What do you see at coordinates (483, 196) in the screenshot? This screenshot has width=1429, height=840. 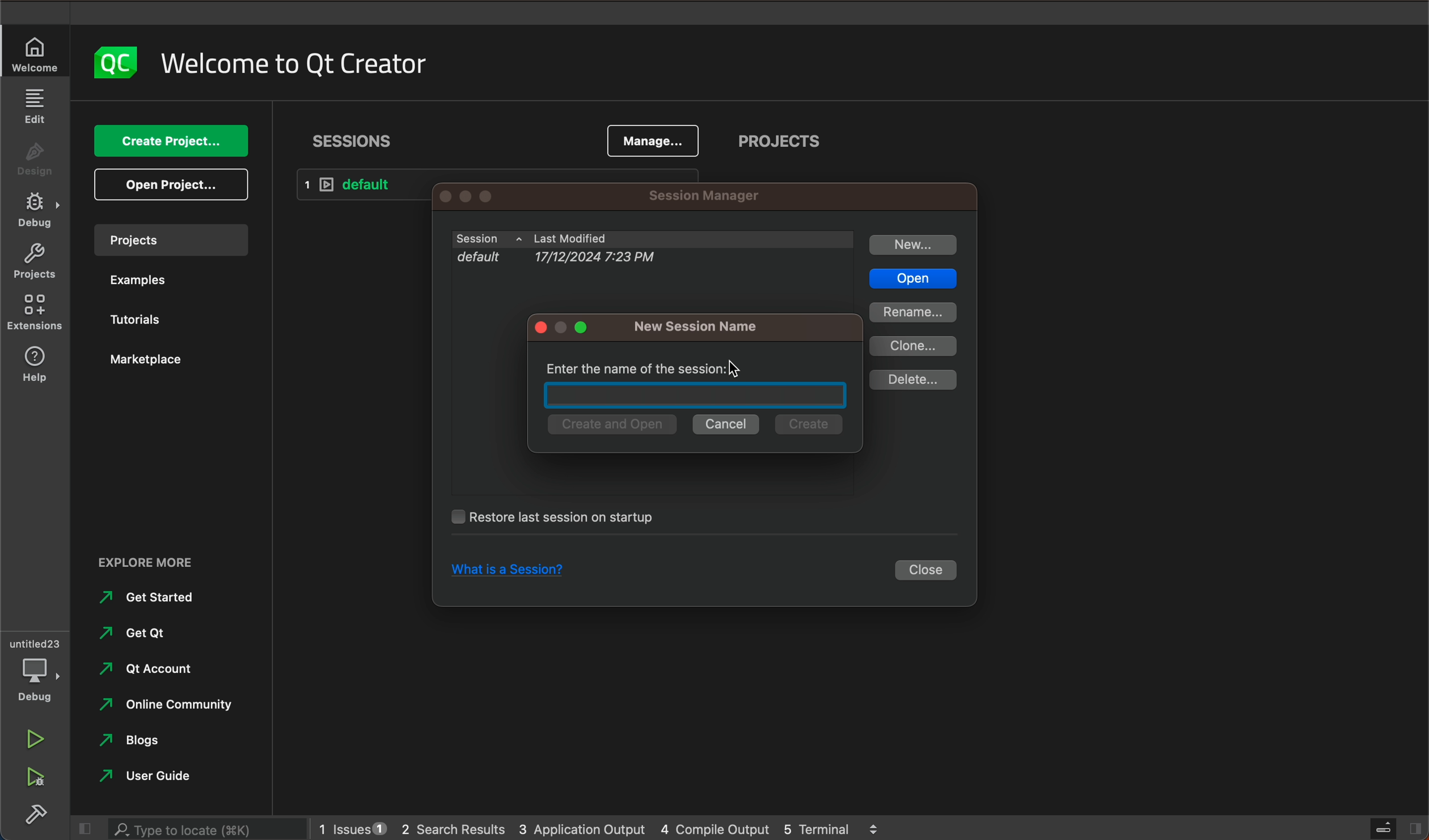 I see `window controls` at bounding box center [483, 196].